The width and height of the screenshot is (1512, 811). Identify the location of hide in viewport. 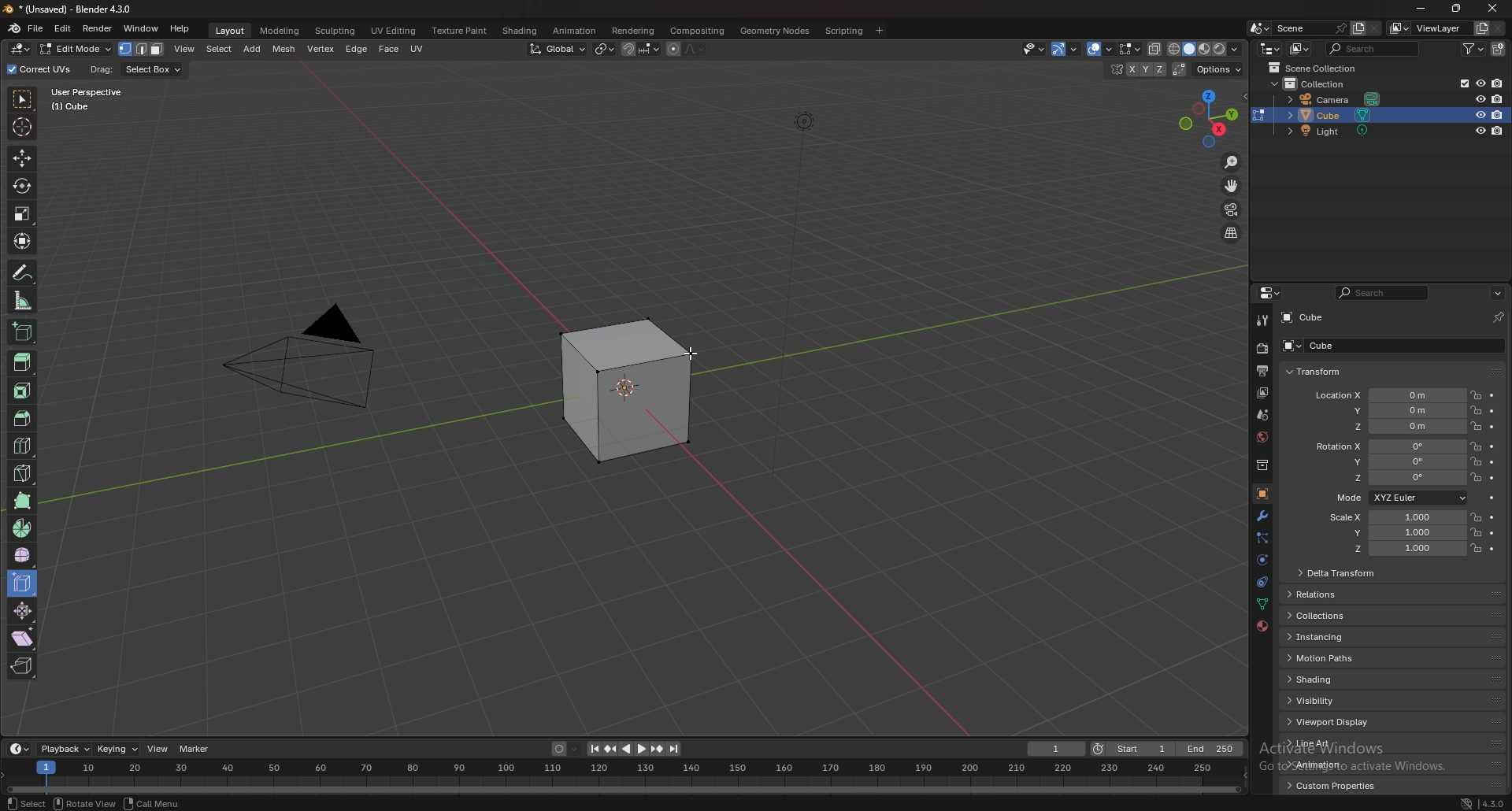
(1478, 98).